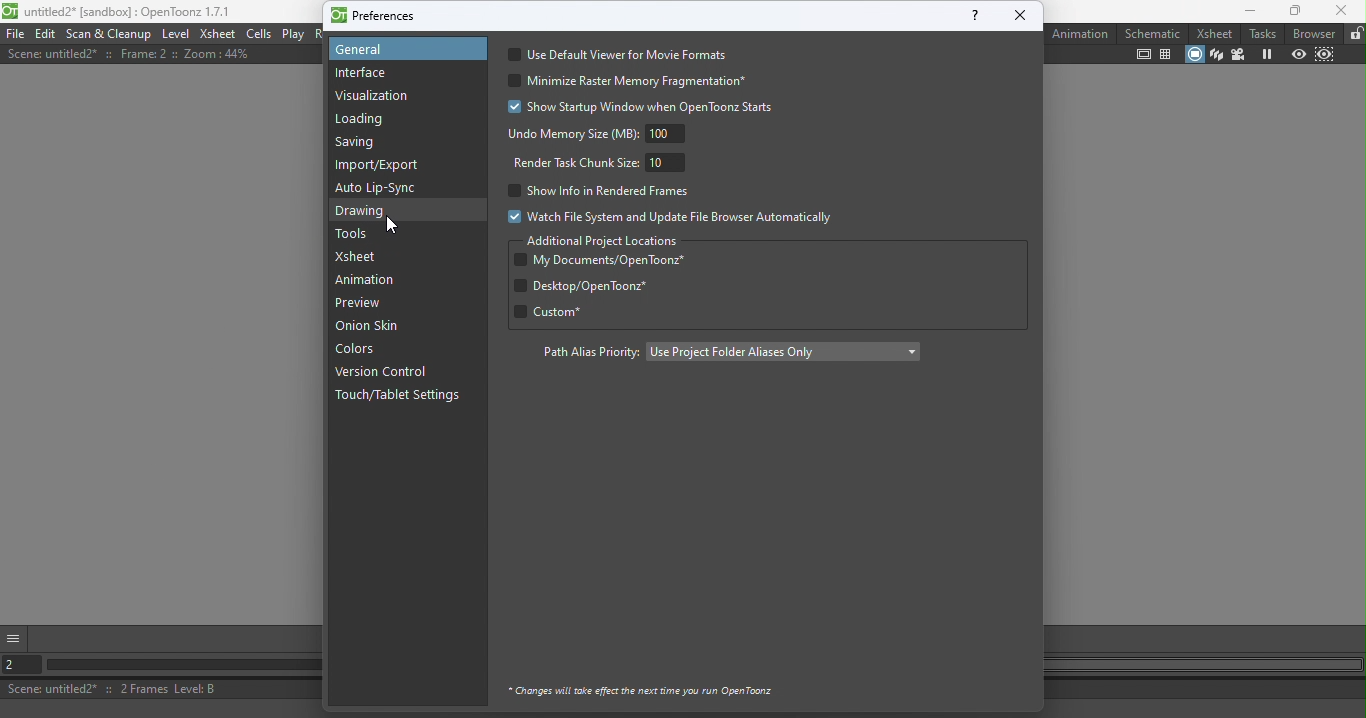 This screenshot has width=1366, height=718. I want to click on Import/export, so click(382, 165).